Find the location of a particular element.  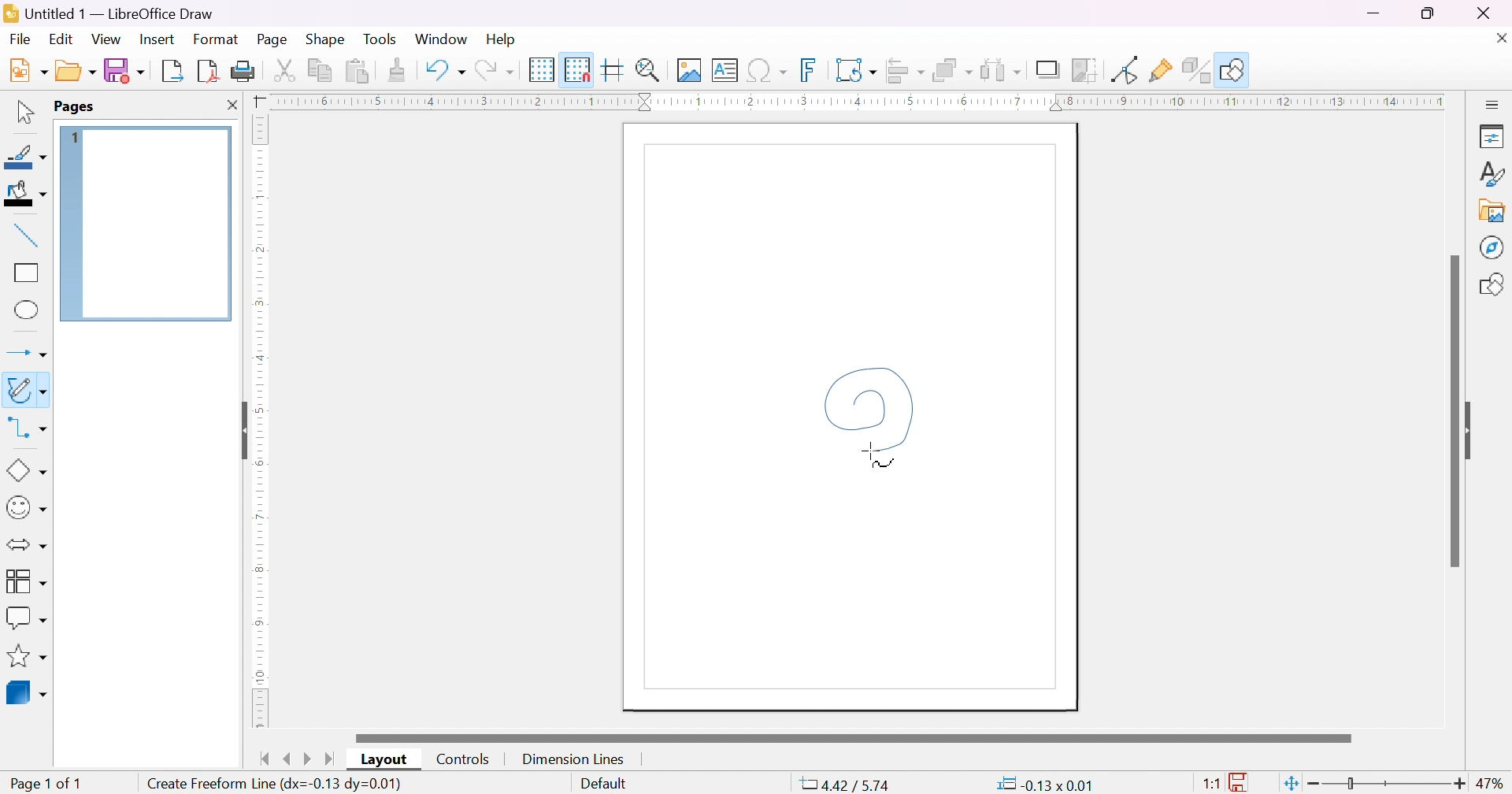

page 1 of 1 is located at coordinates (43, 783).